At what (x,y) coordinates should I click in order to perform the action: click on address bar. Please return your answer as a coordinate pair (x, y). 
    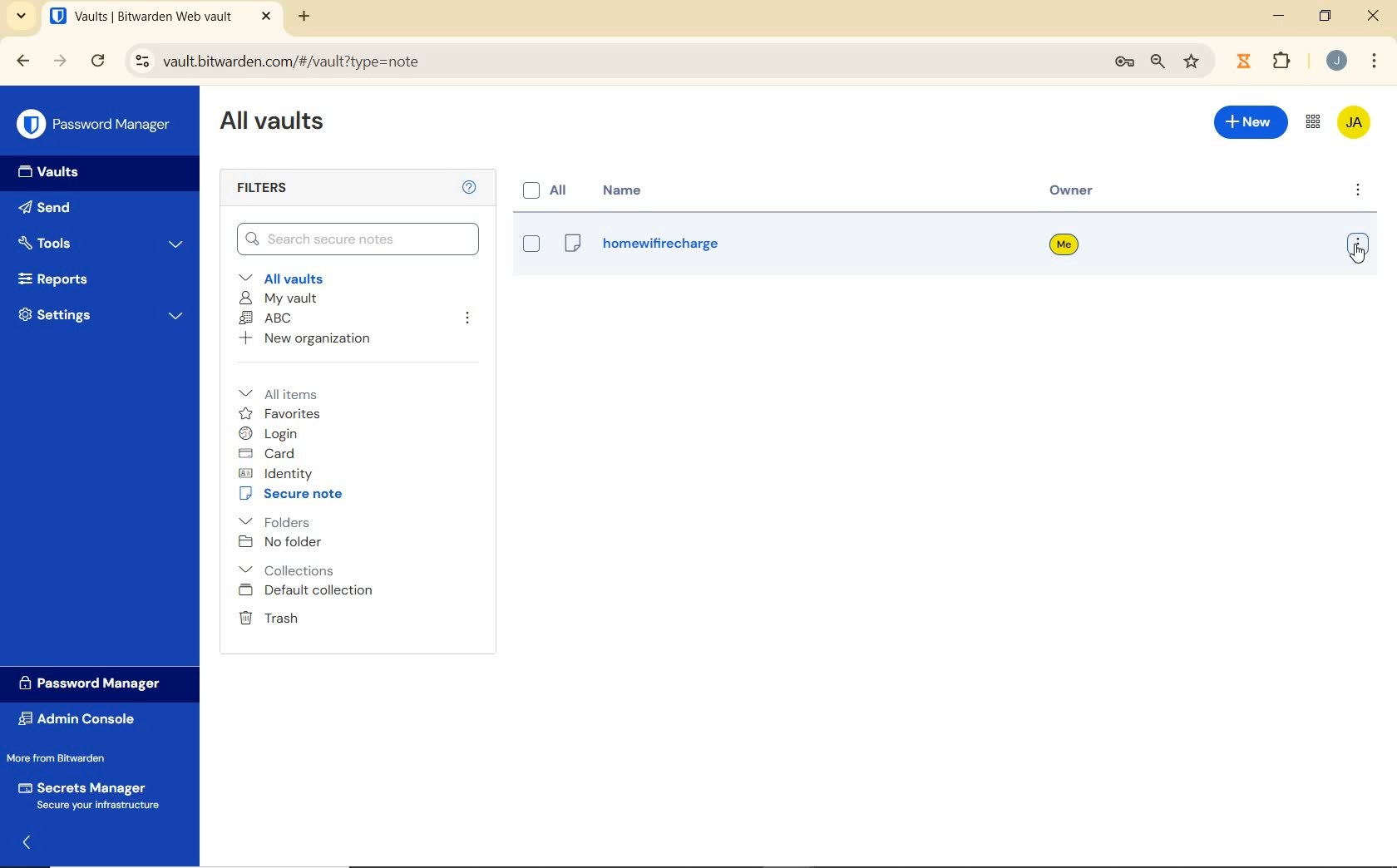
    Looking at the image, I should click on (607, 62).